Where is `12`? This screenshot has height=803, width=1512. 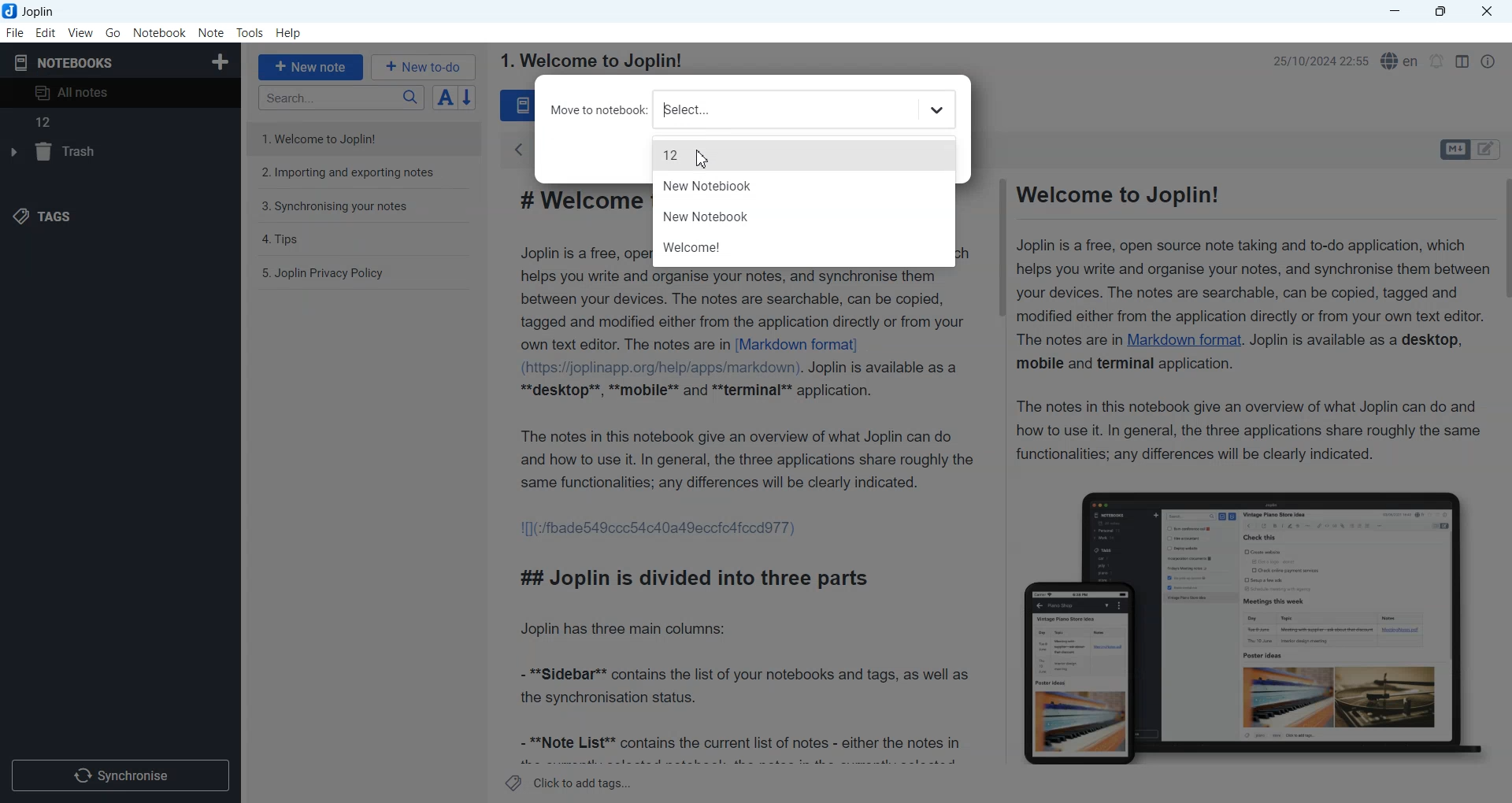 12 is located at coordinates (50, 123).